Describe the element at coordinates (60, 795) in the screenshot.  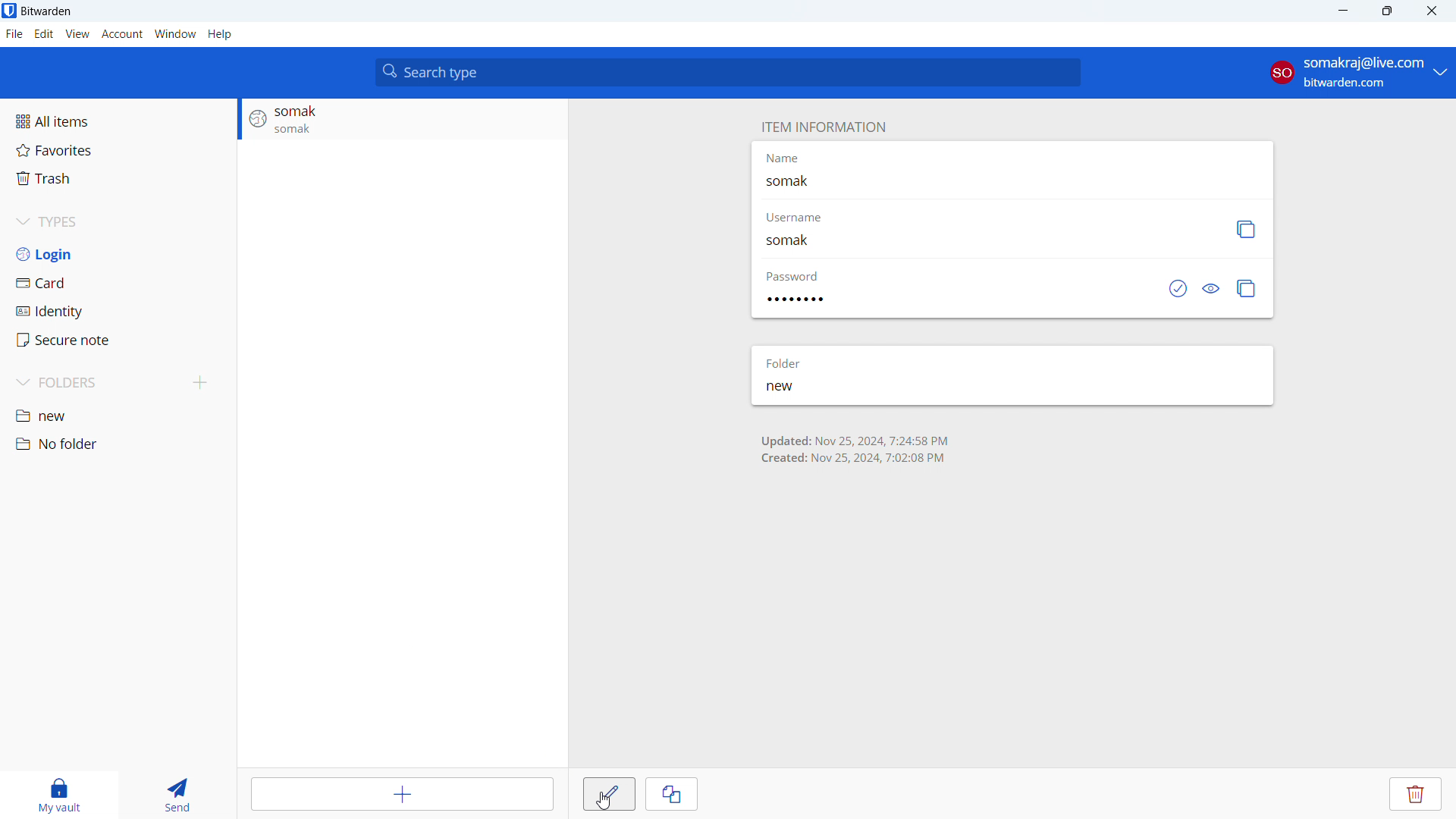
I see `my vault` at that location.